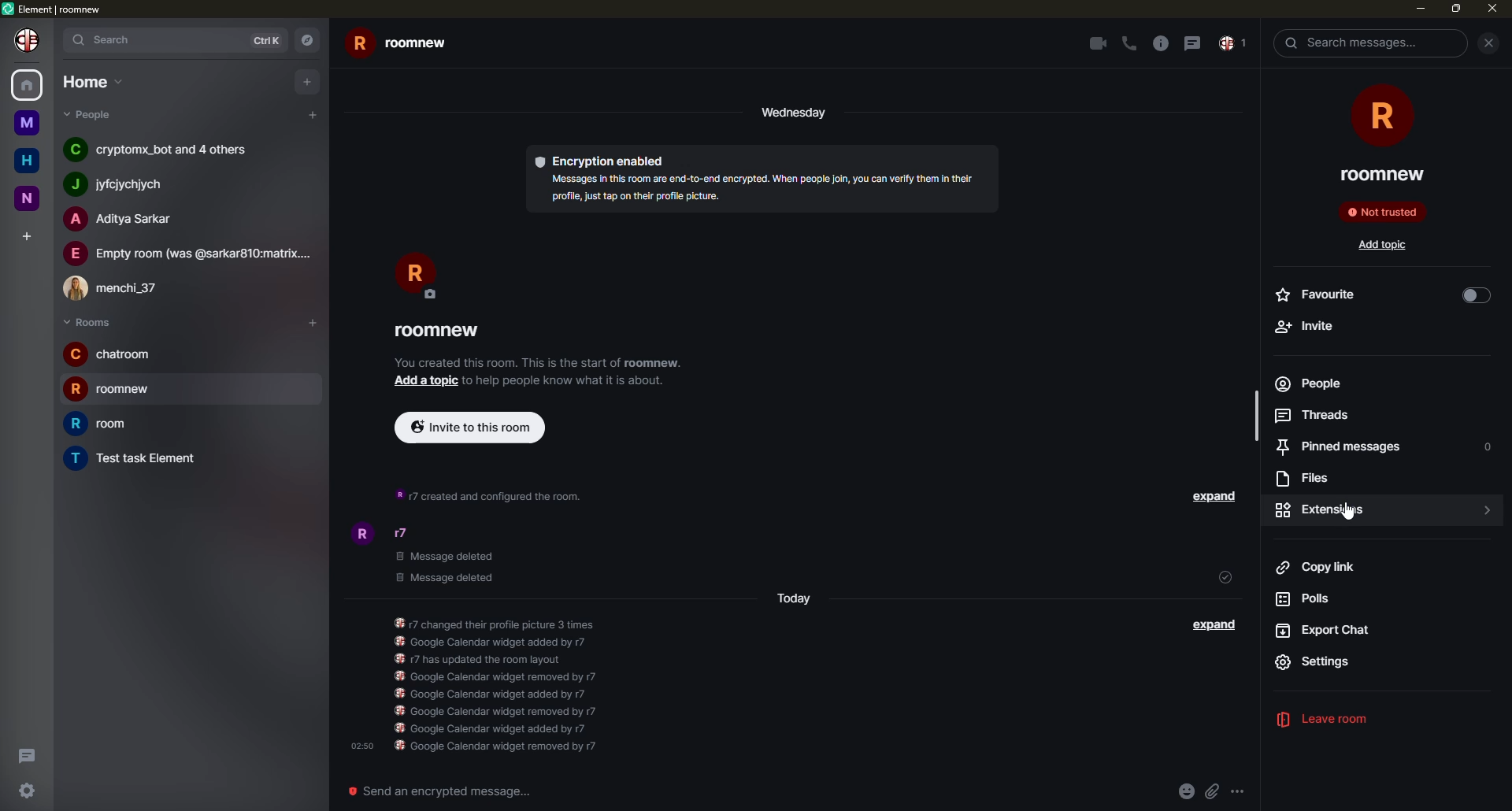  What do you see at coordinates (54, 9) in the screenshot?
I see `element` at bounding box center [54, 9].